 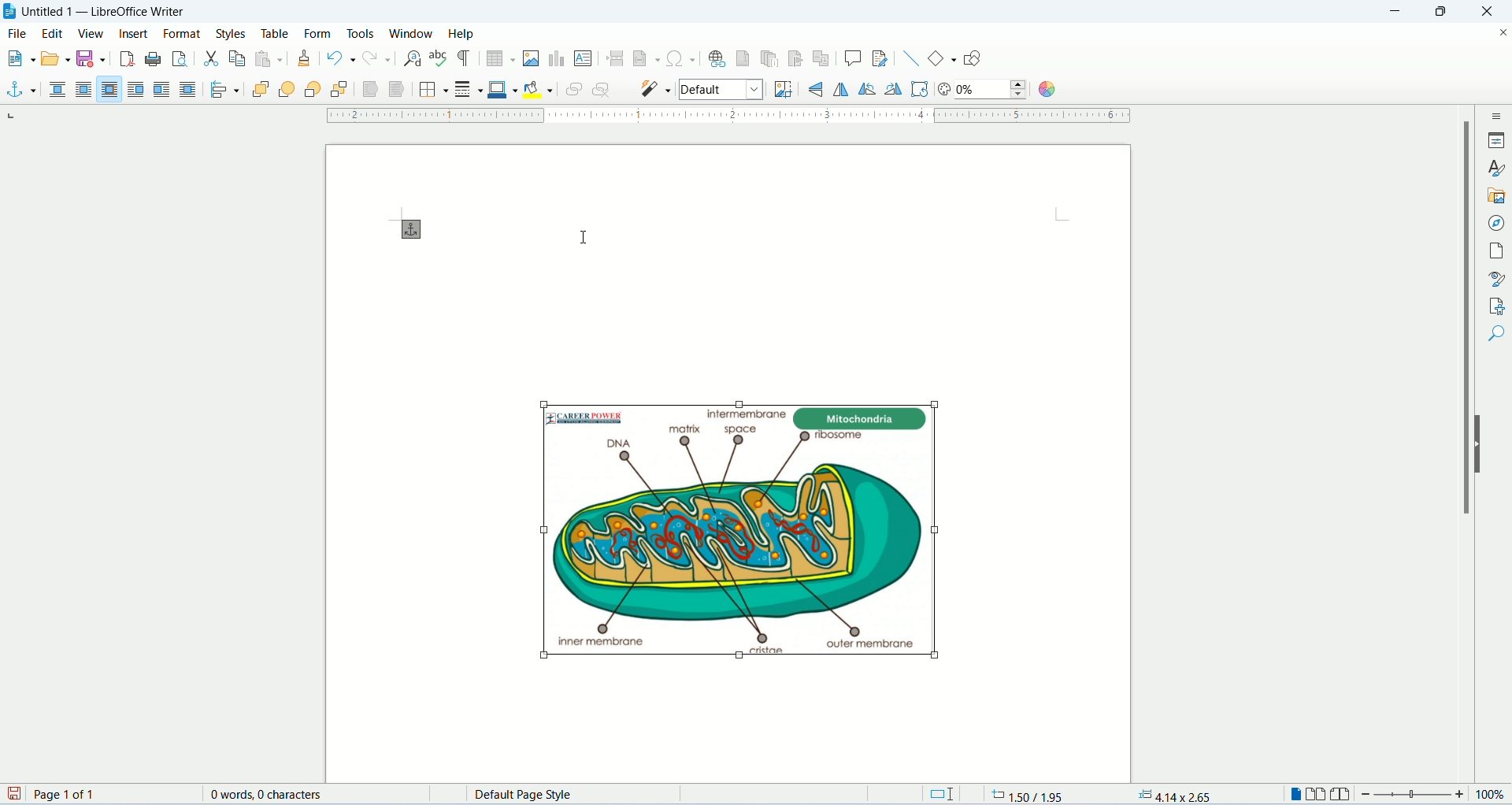 What do you see at coordinates (1104, 793) in the screenshot?
I see `1.50/1.95 4.14x2.65` at bounding box center [1104, 793].